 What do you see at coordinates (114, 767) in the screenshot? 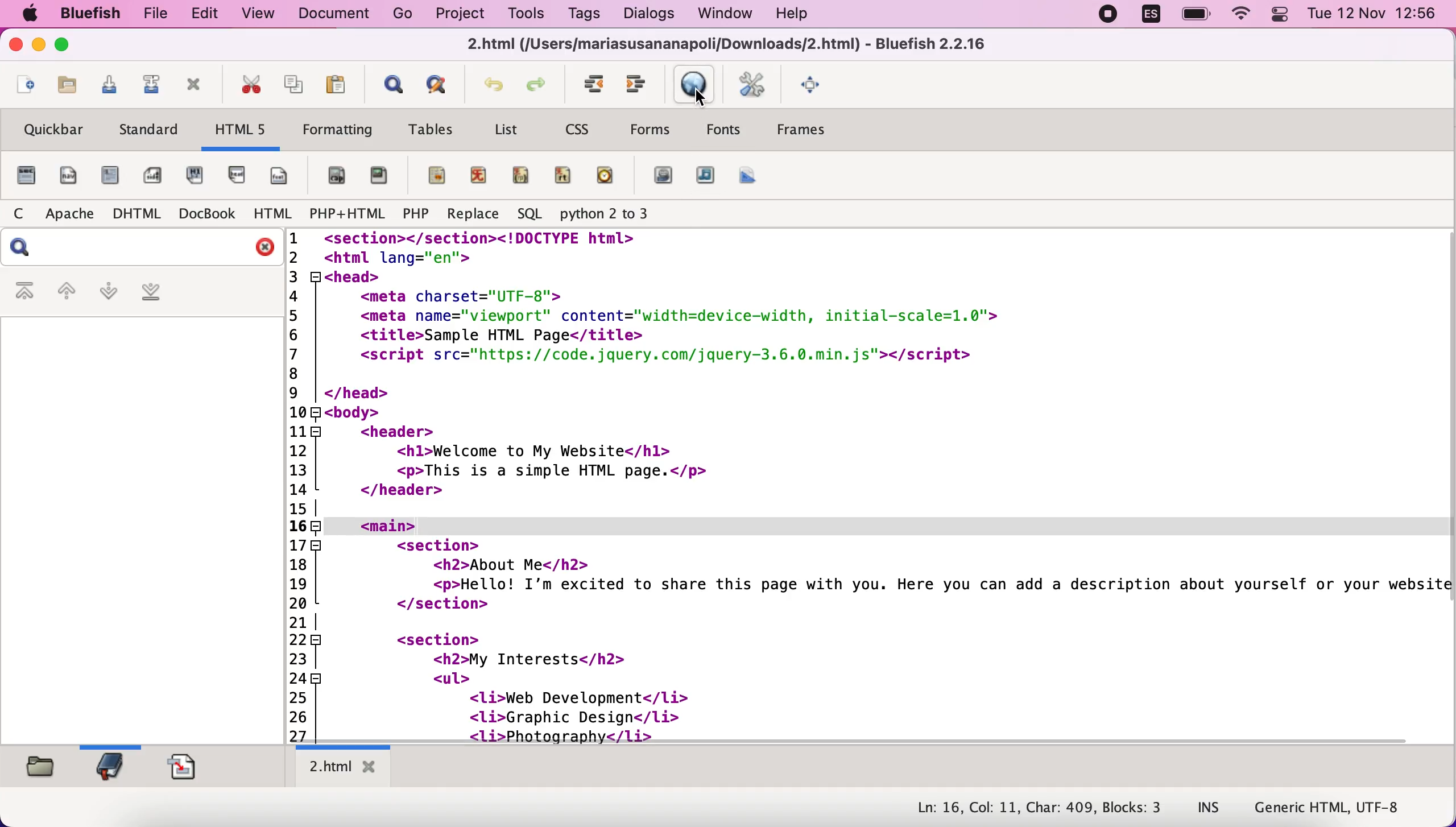
I see `bookmark` at bounding box center [114, 767].